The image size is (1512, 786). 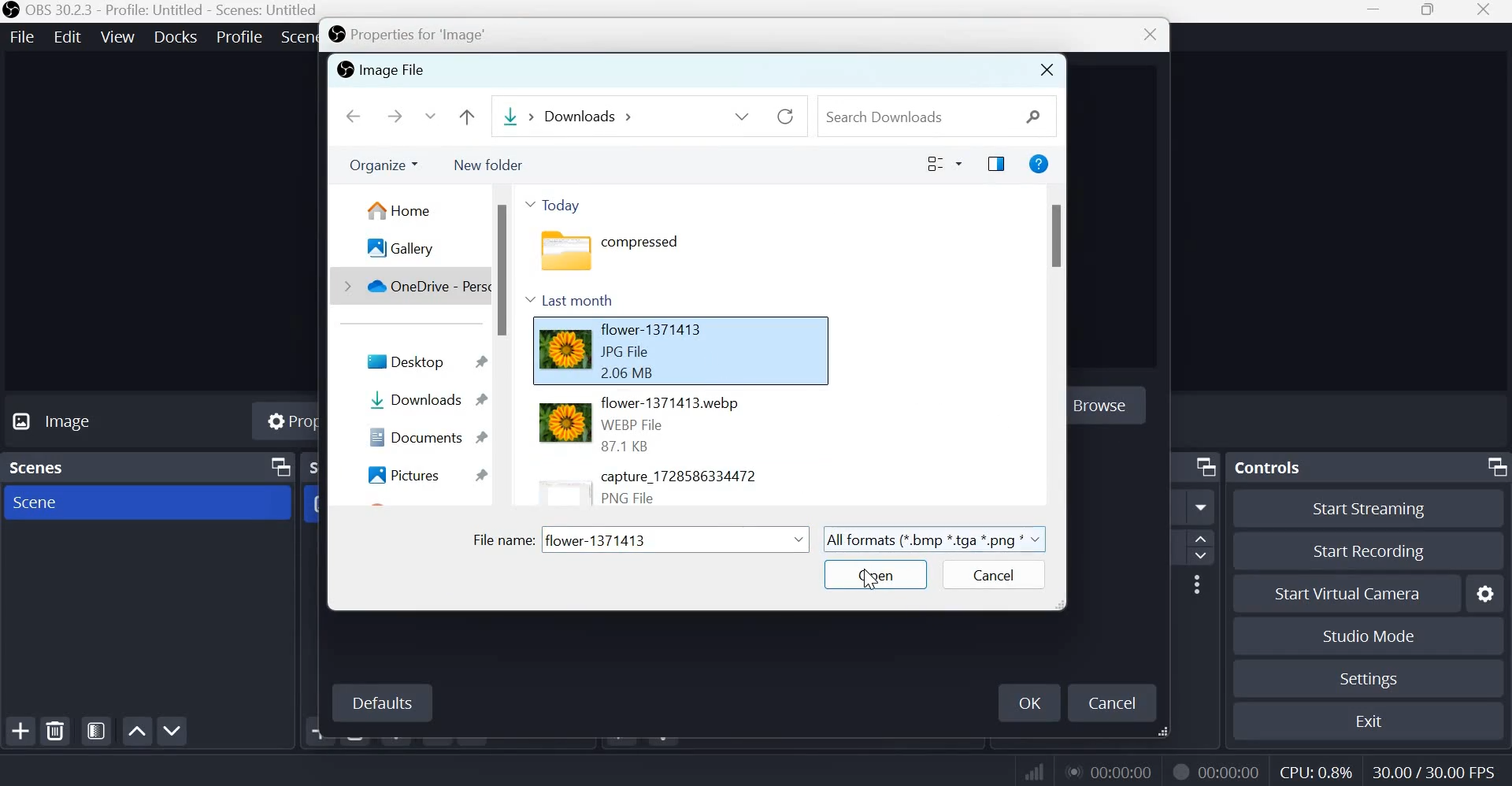 What do you see at coordinates (1032, 704) in the screenshot?
I see `Ok` at bounding box center [1032, 704].